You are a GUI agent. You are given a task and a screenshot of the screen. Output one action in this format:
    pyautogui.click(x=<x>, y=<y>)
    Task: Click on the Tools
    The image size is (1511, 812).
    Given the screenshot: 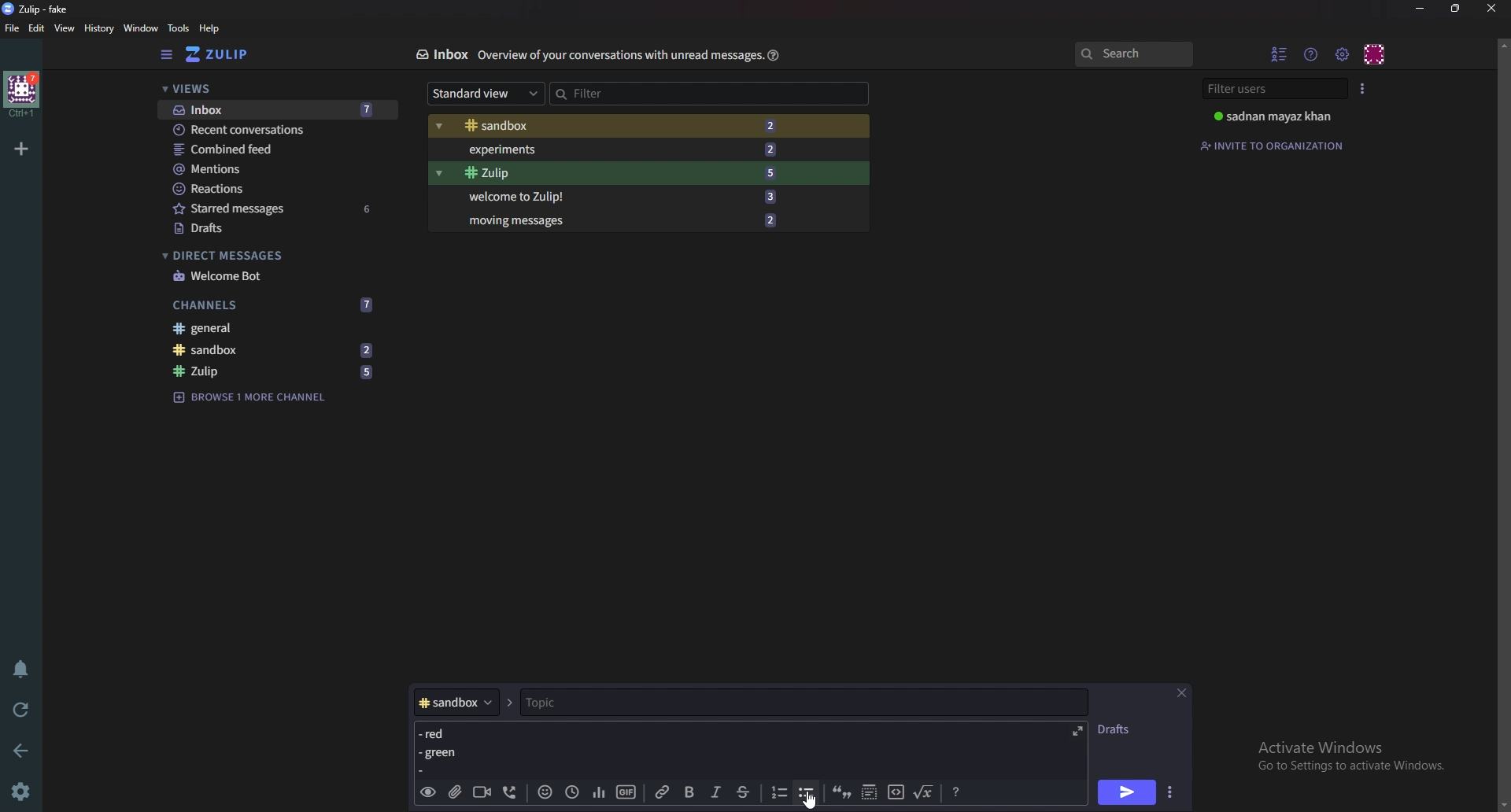 What is the action you would take?
    pyautogui.click(x=179, y=28)
    